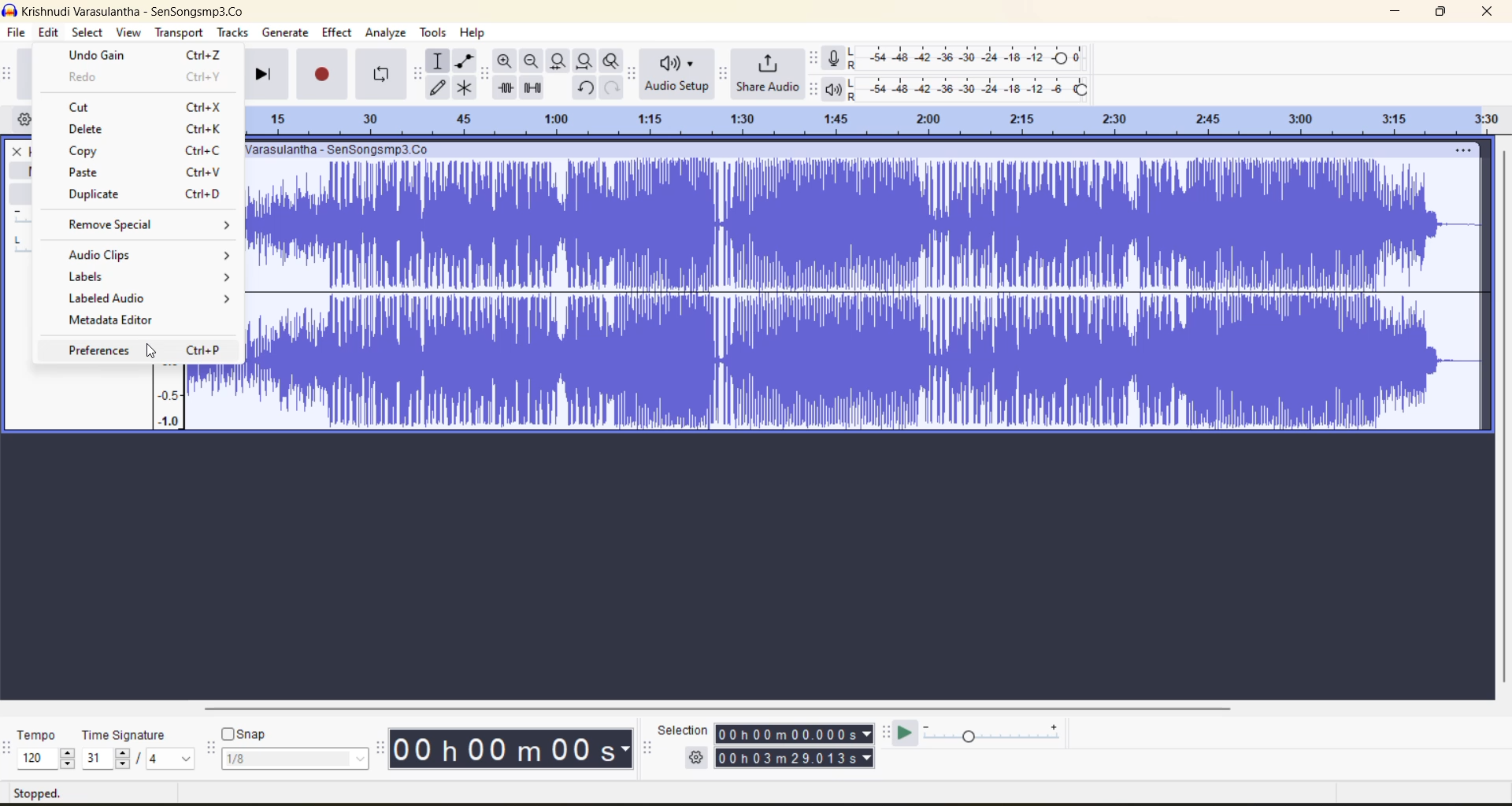 The height and width of the screenshot is (806, 1512). I want to click on undo, so click(585, 88).